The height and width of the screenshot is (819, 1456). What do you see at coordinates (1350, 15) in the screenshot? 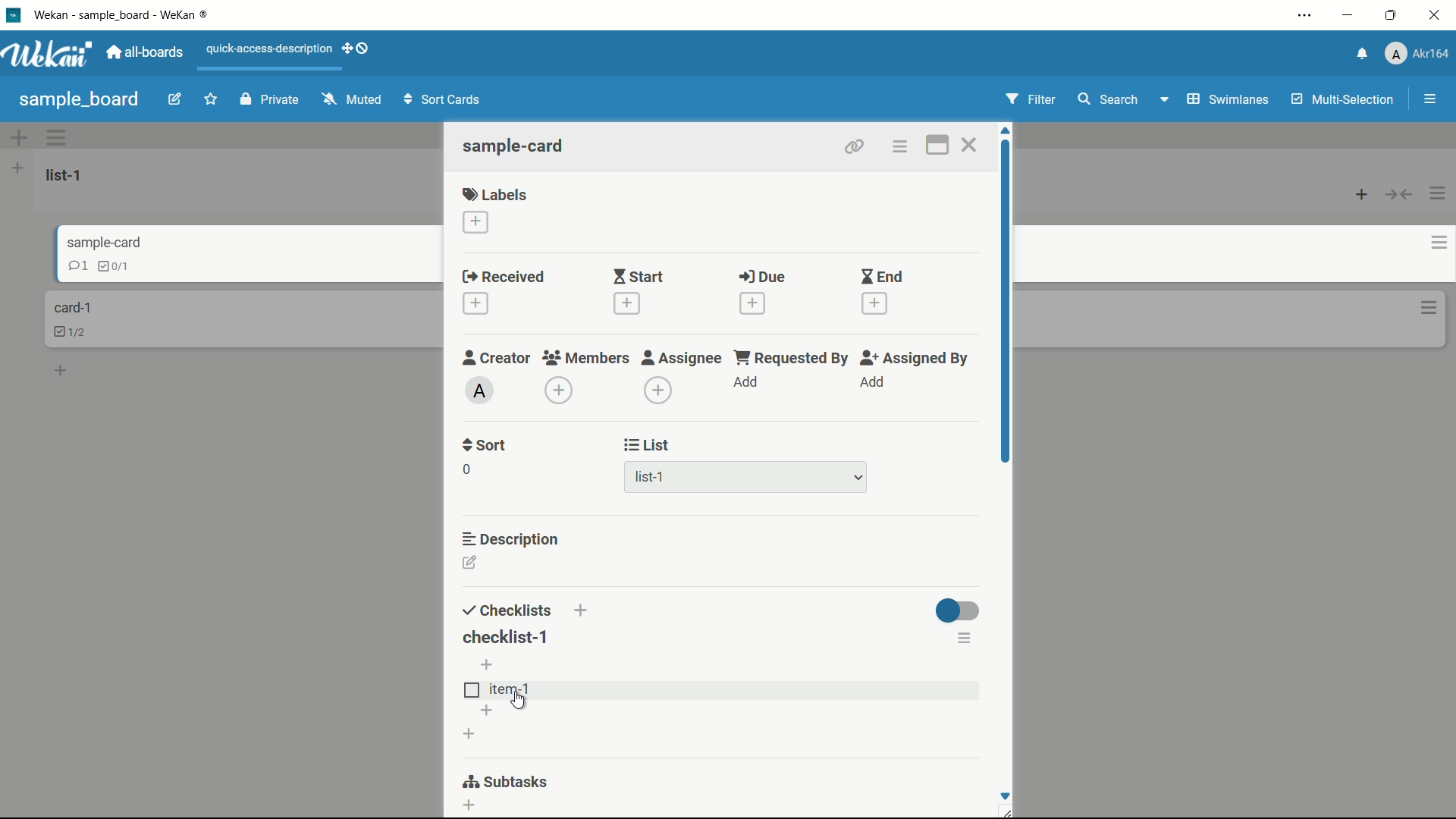
I see `minimize` at bounding box center [1350, 15].